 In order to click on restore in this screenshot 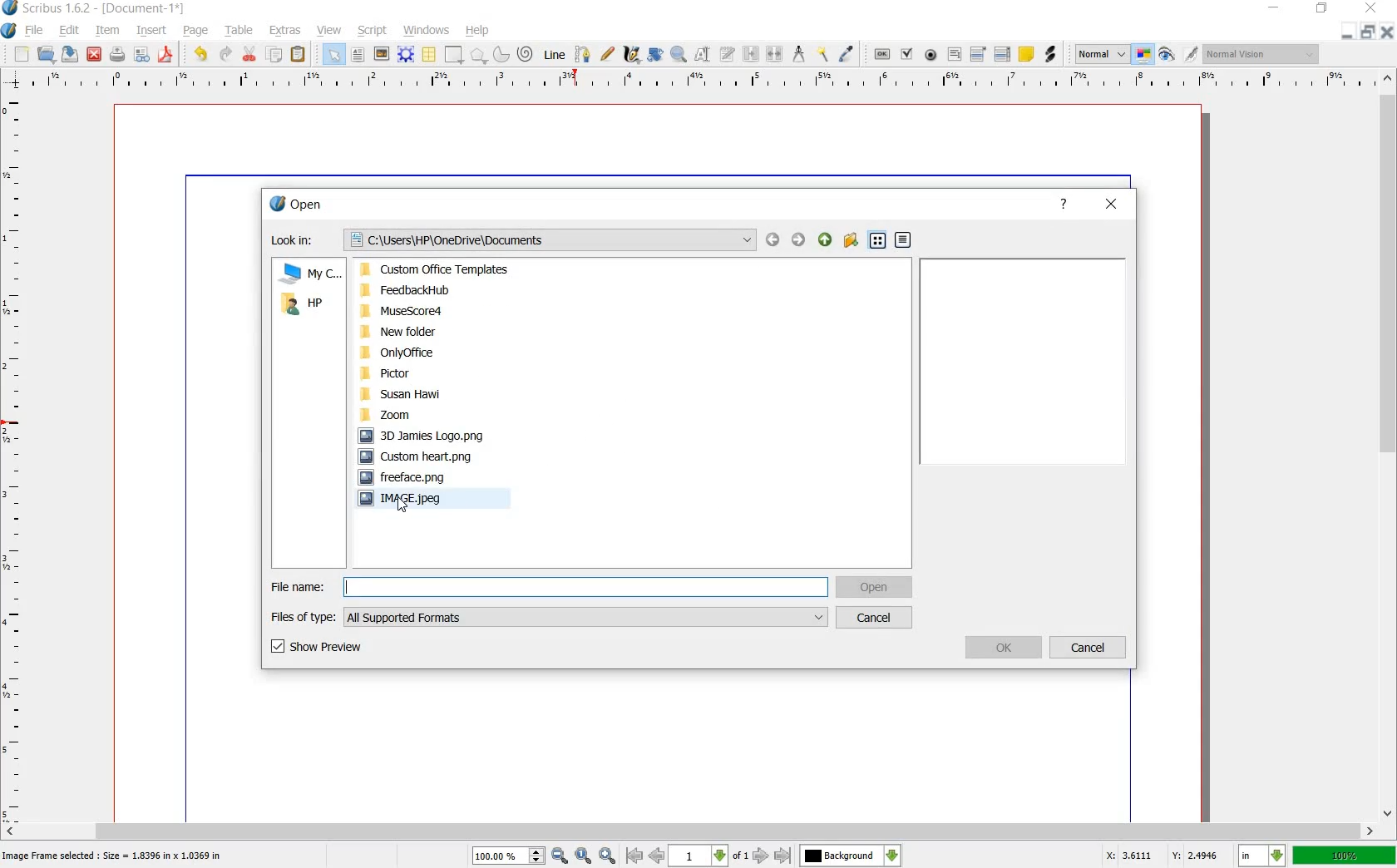, I will do `click(1322, 8)`.